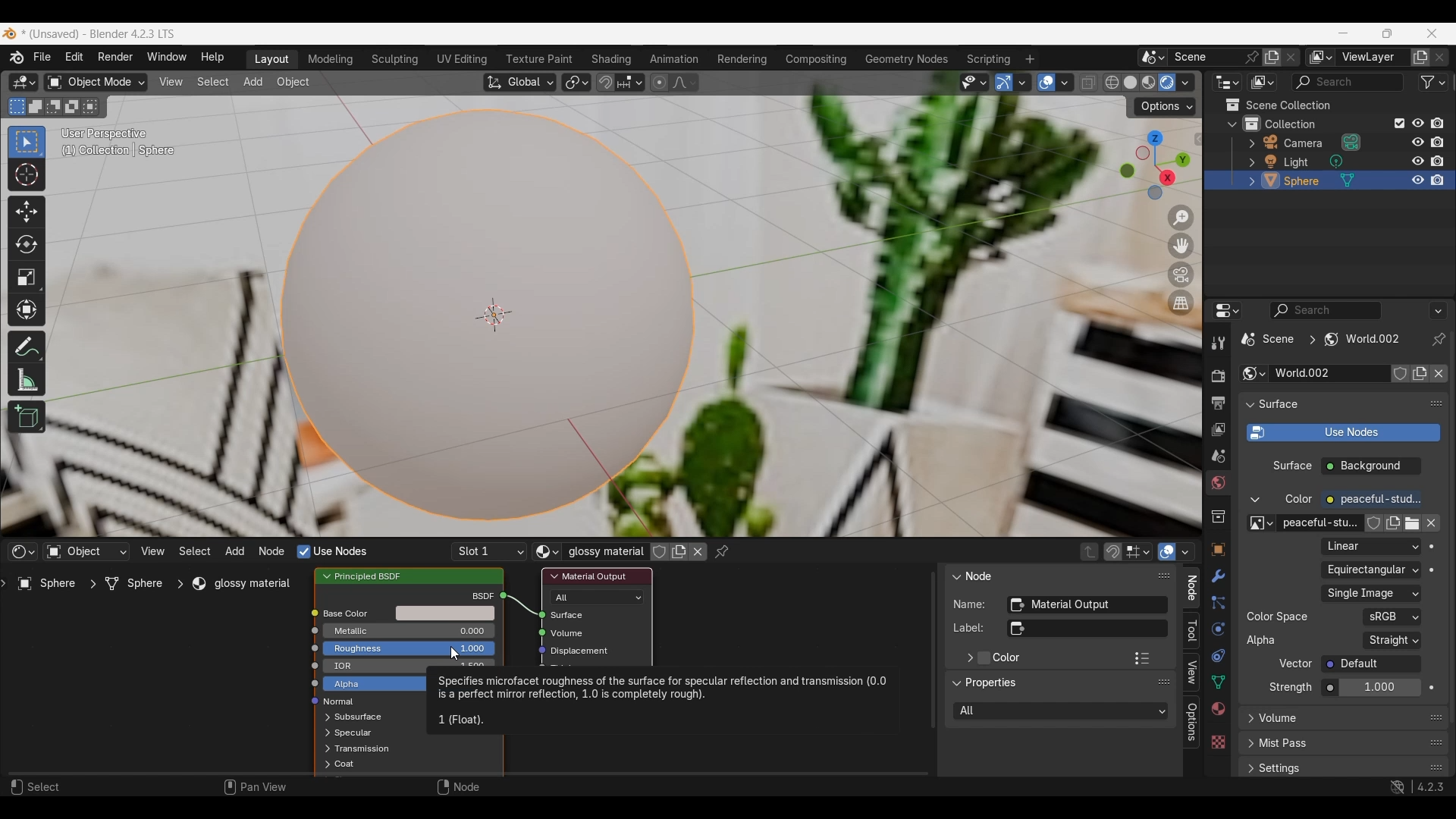  I want to click on Software logo, so click(9, 34).